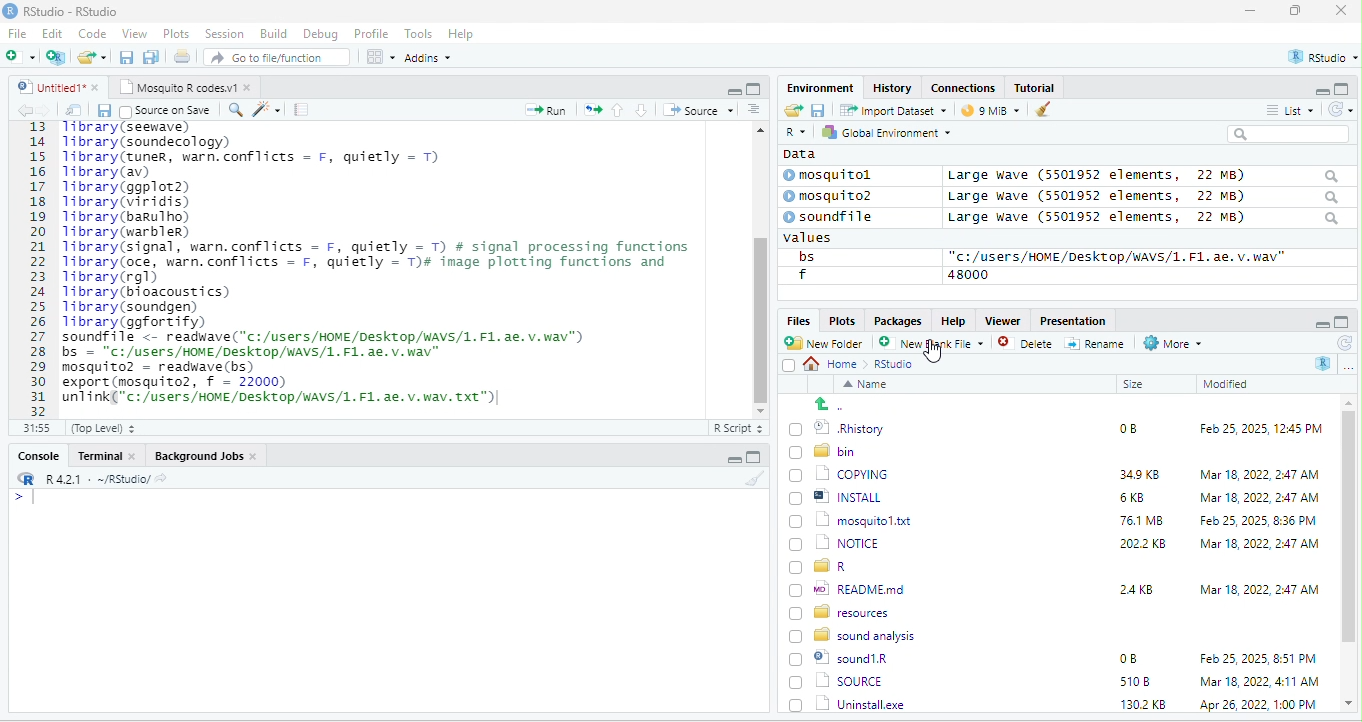 Image resolution: width=1362 pixels, height=722 pixels. Describe the element at coordinates (1096, 343) in the screenshot. I see `=] Rename` at that location.